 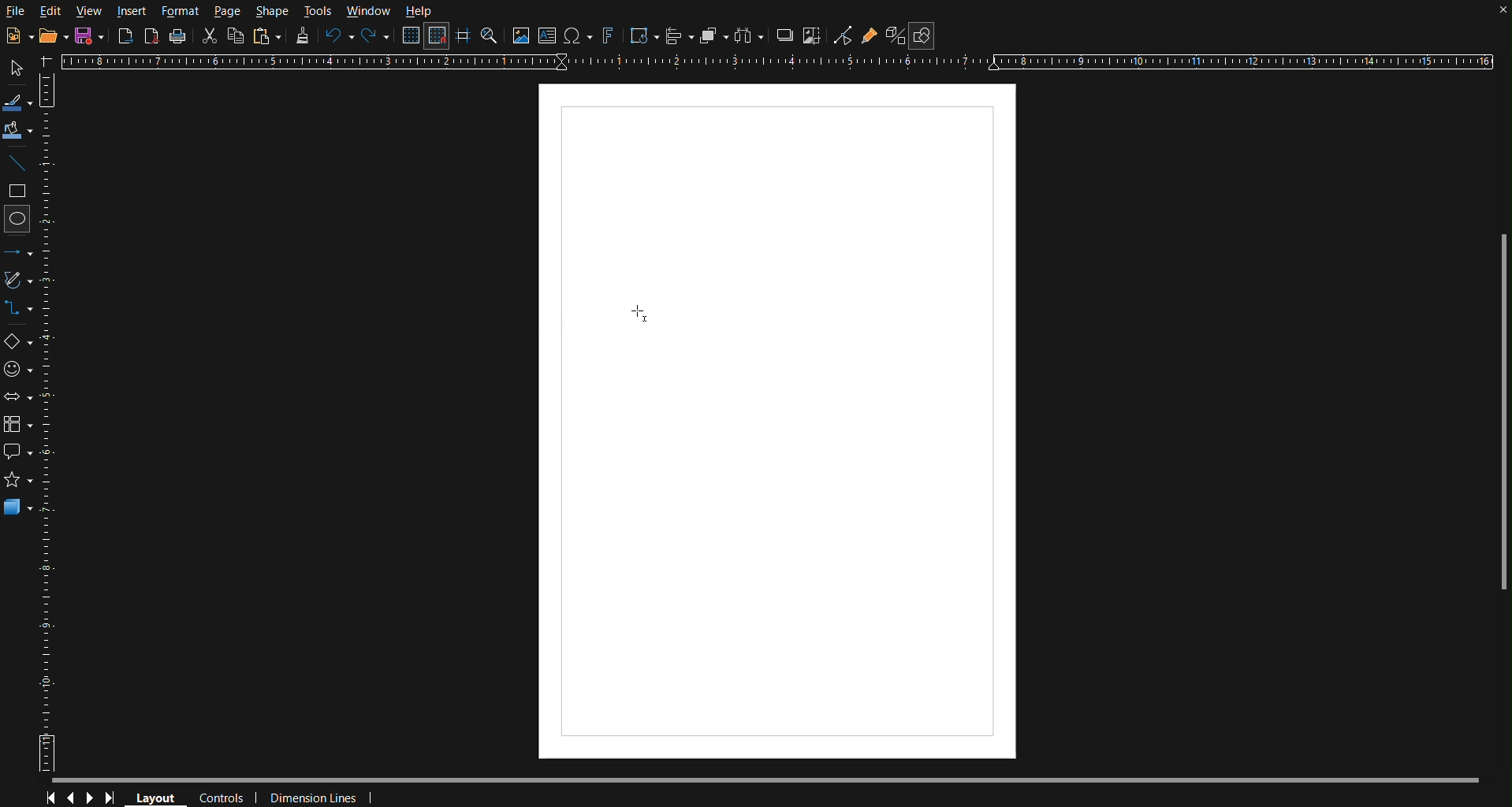 What do you see at coordinates (131, 9) in the screenshot?
I see `Insert` at bounding box center [131, 9].